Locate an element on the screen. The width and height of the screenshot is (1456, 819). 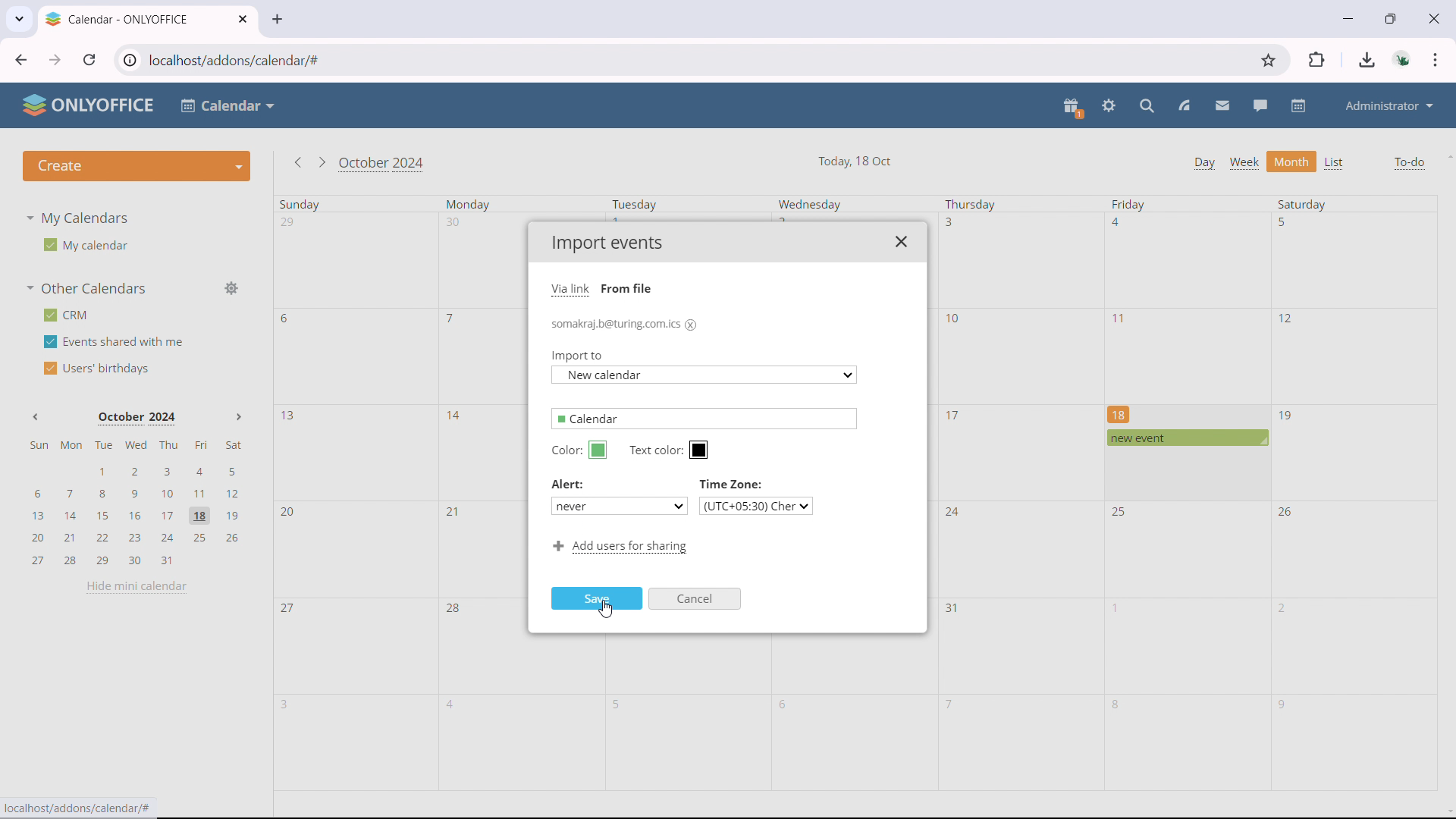
scroll down is located at coordinates (1447, 813).